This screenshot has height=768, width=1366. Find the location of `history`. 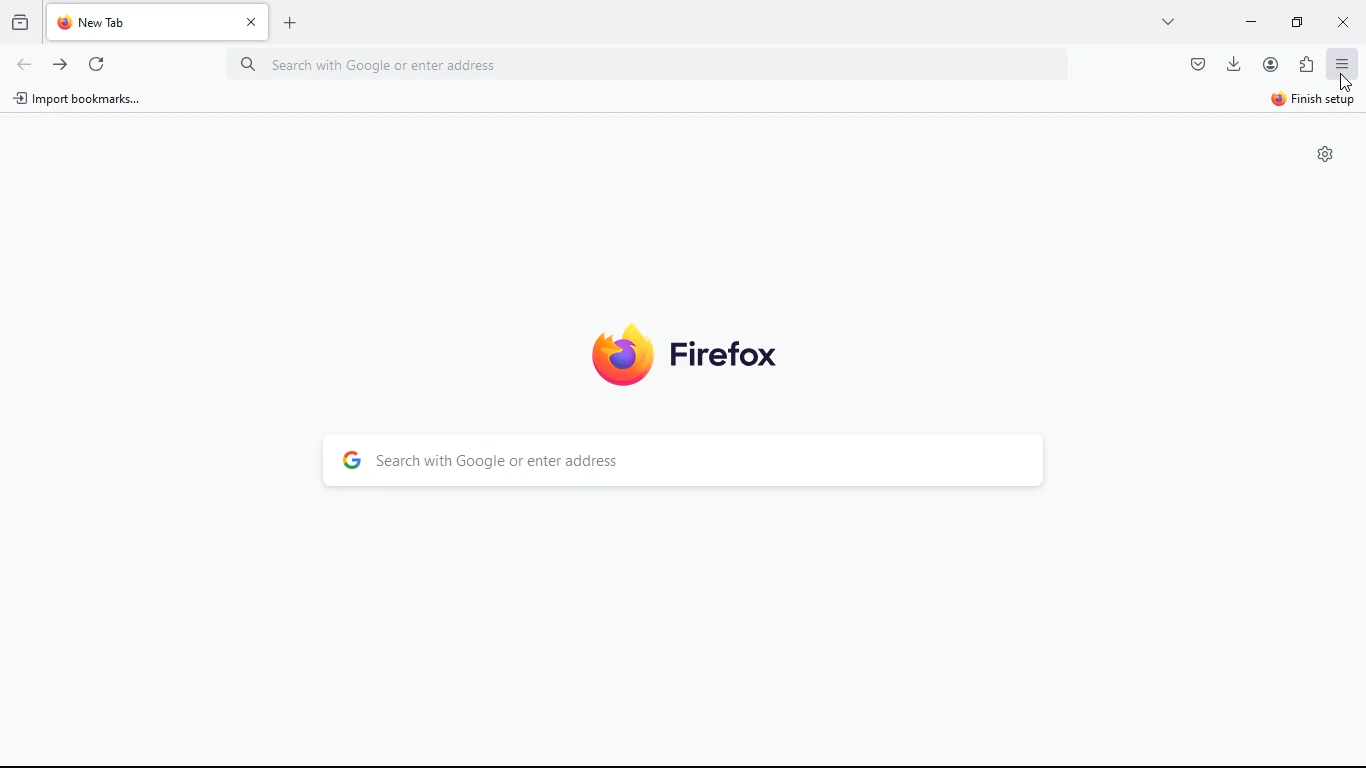

history is located at coordinates (19, 26).